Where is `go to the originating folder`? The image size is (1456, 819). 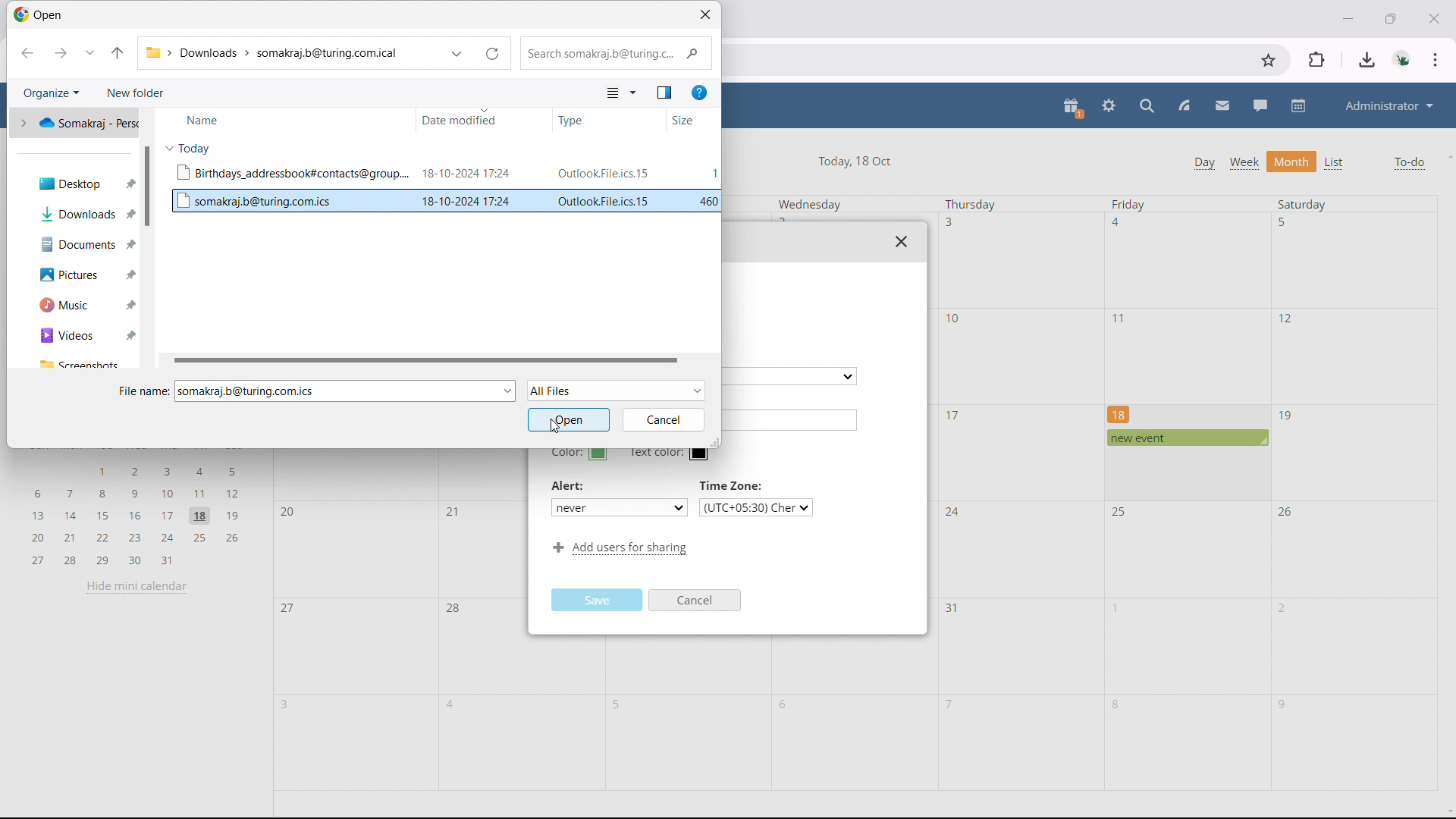 go to the originating folder is located at coordinates (118, 52).